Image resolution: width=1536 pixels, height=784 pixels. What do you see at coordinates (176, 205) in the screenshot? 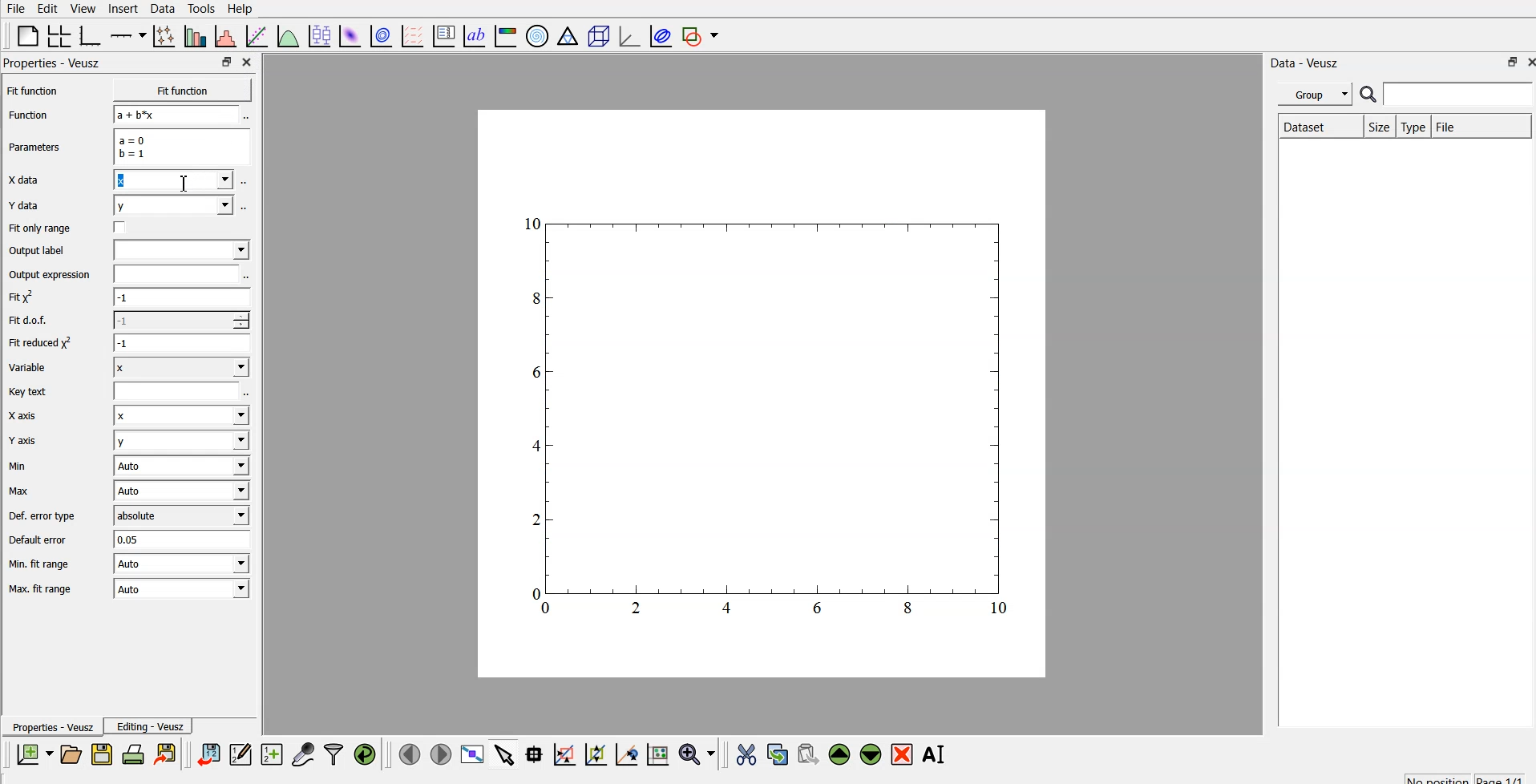
I see `y` at bounding box center [176, 205].